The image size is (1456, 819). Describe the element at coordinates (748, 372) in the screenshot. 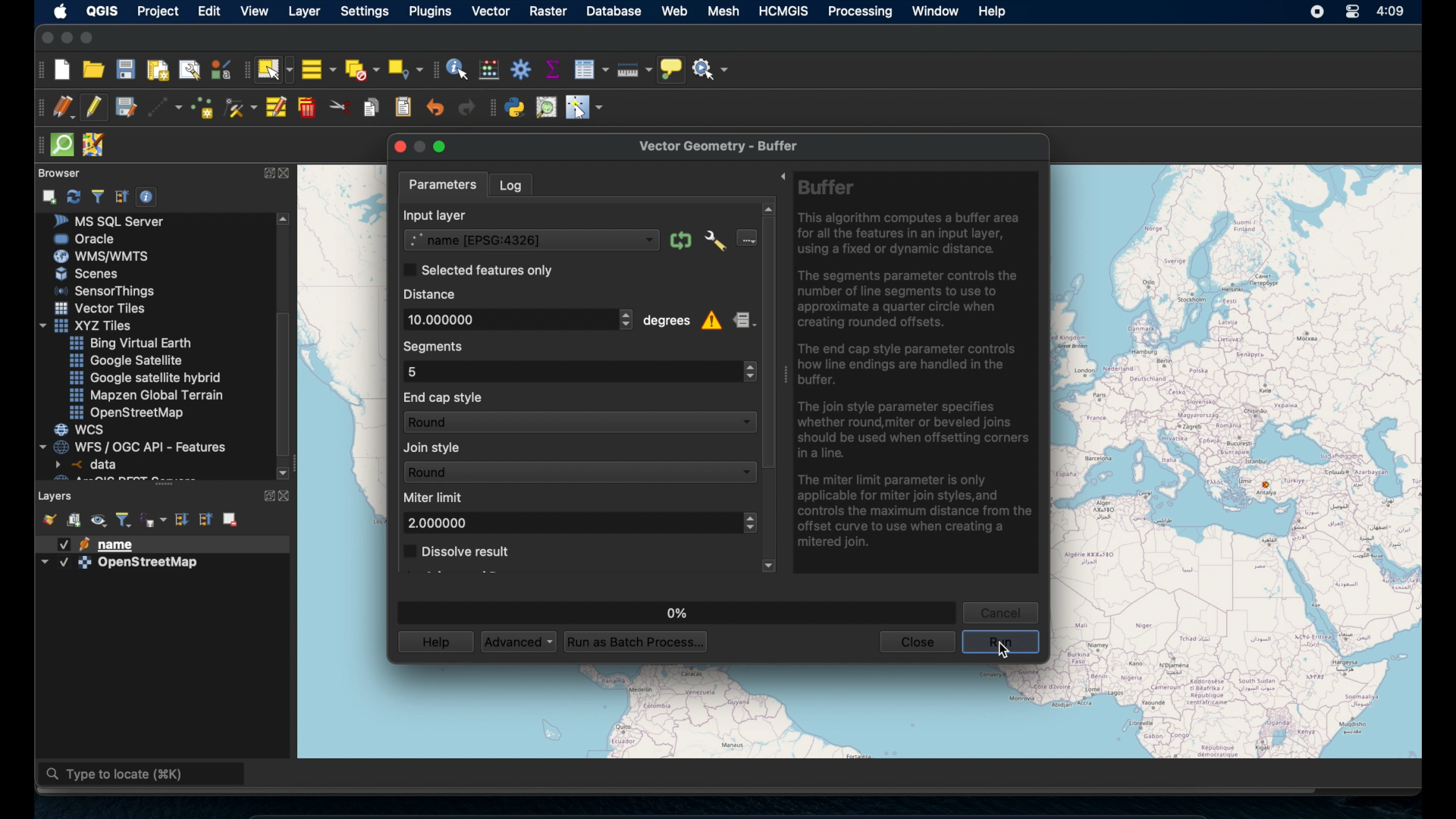

I see `stepper buttons` at that location.